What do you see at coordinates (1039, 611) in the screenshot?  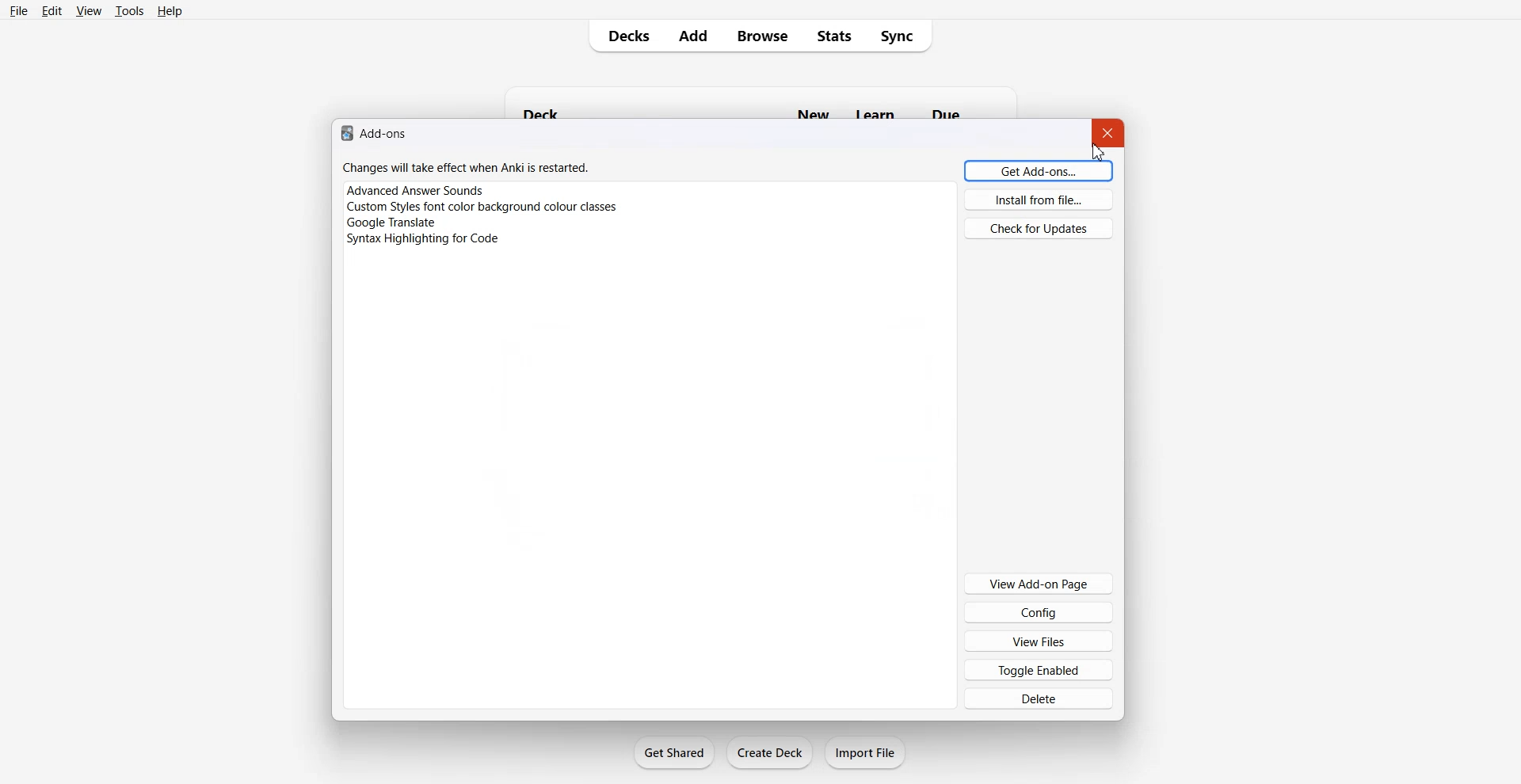 I see `Config` at bounding box center [1039, 611].